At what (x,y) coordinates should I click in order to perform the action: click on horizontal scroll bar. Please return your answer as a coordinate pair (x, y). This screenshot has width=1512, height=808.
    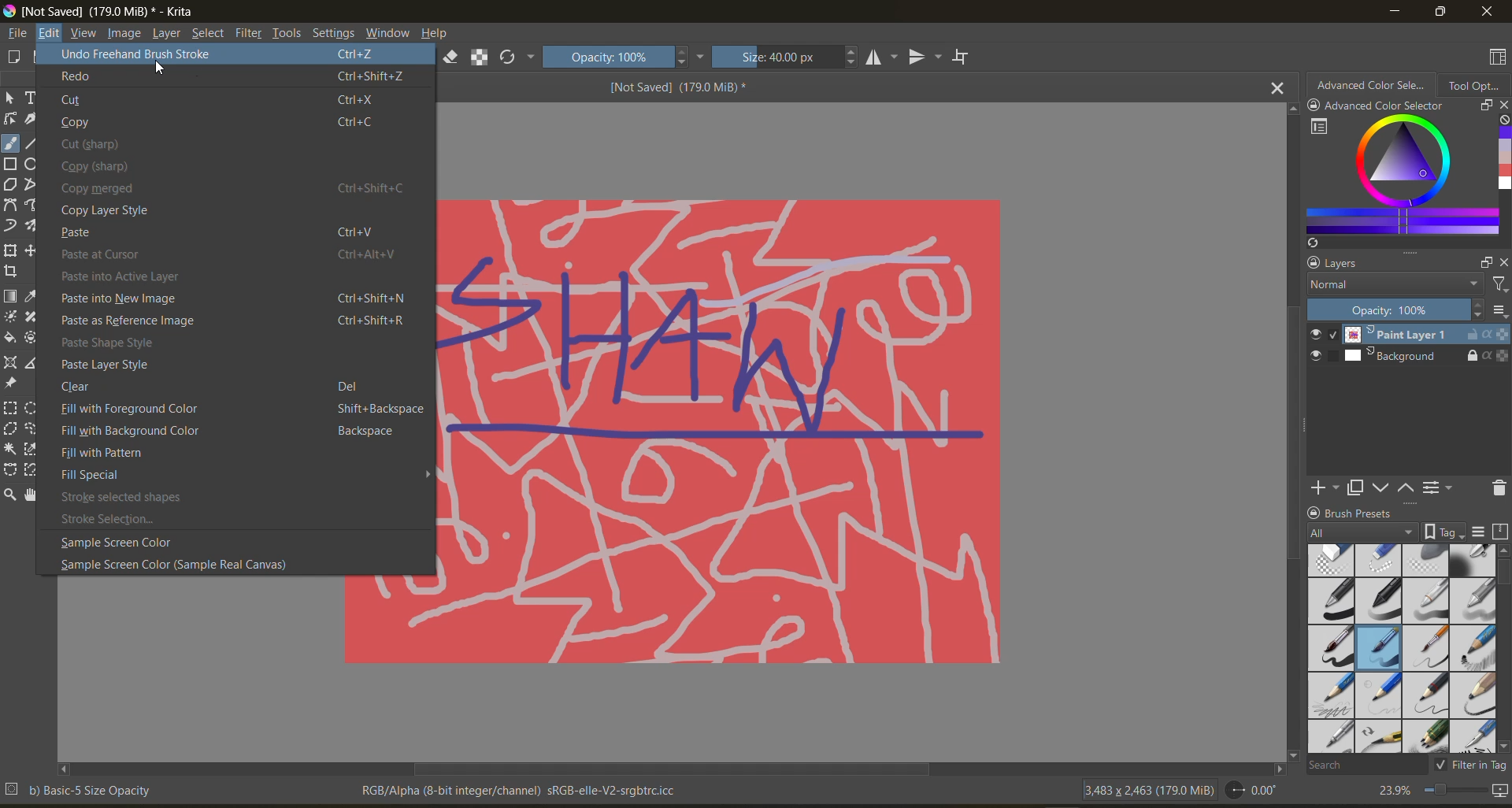
    Looking at the image, I should click on (673, 770).